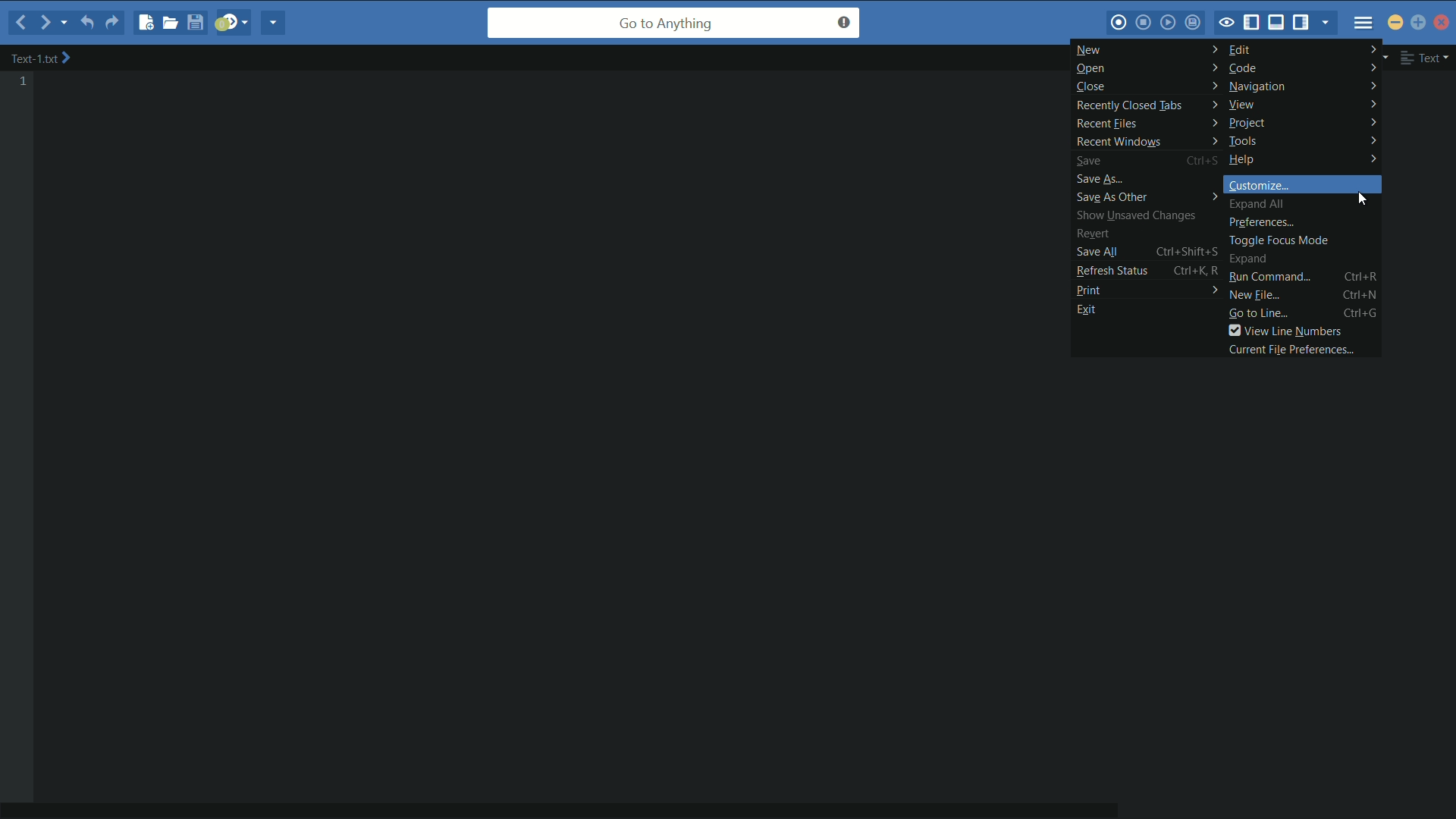 The width and height of the screenshot is (1456, 819). Describe the element at coordinates (1364, 24) in the screenshot. I see `menu` at that location.